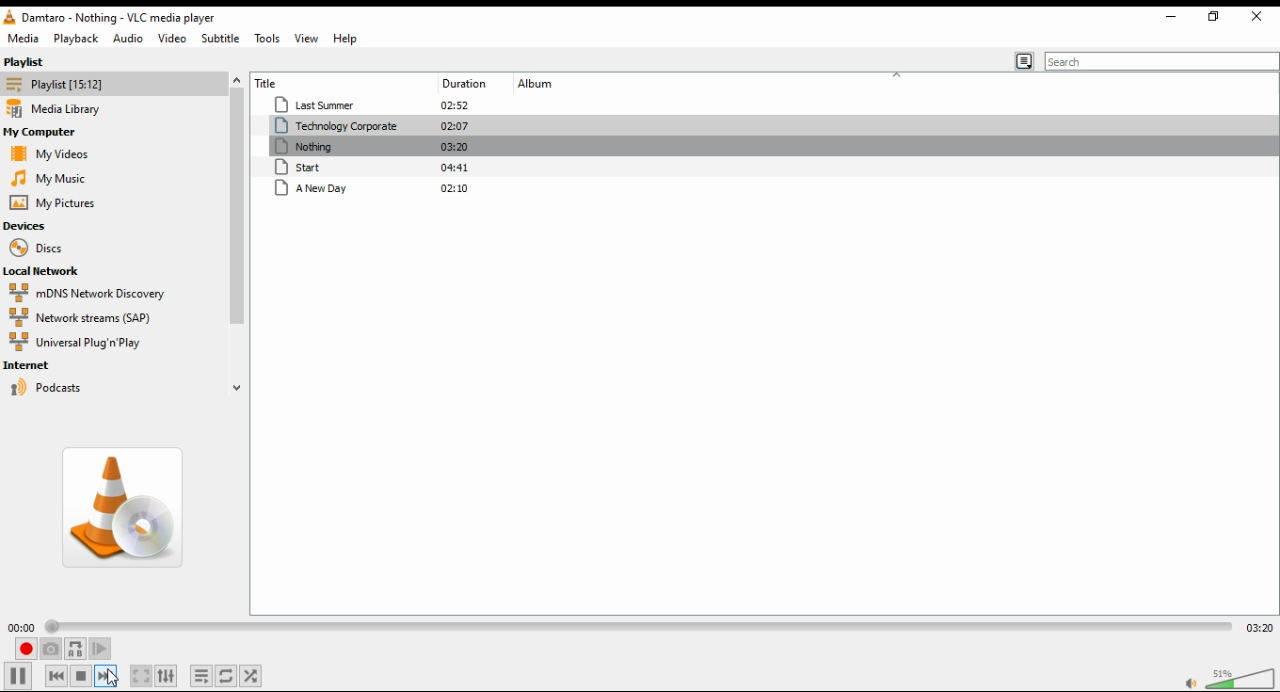 The image size is (1280, 692). I want to click on minimize, so click(1171, 19).